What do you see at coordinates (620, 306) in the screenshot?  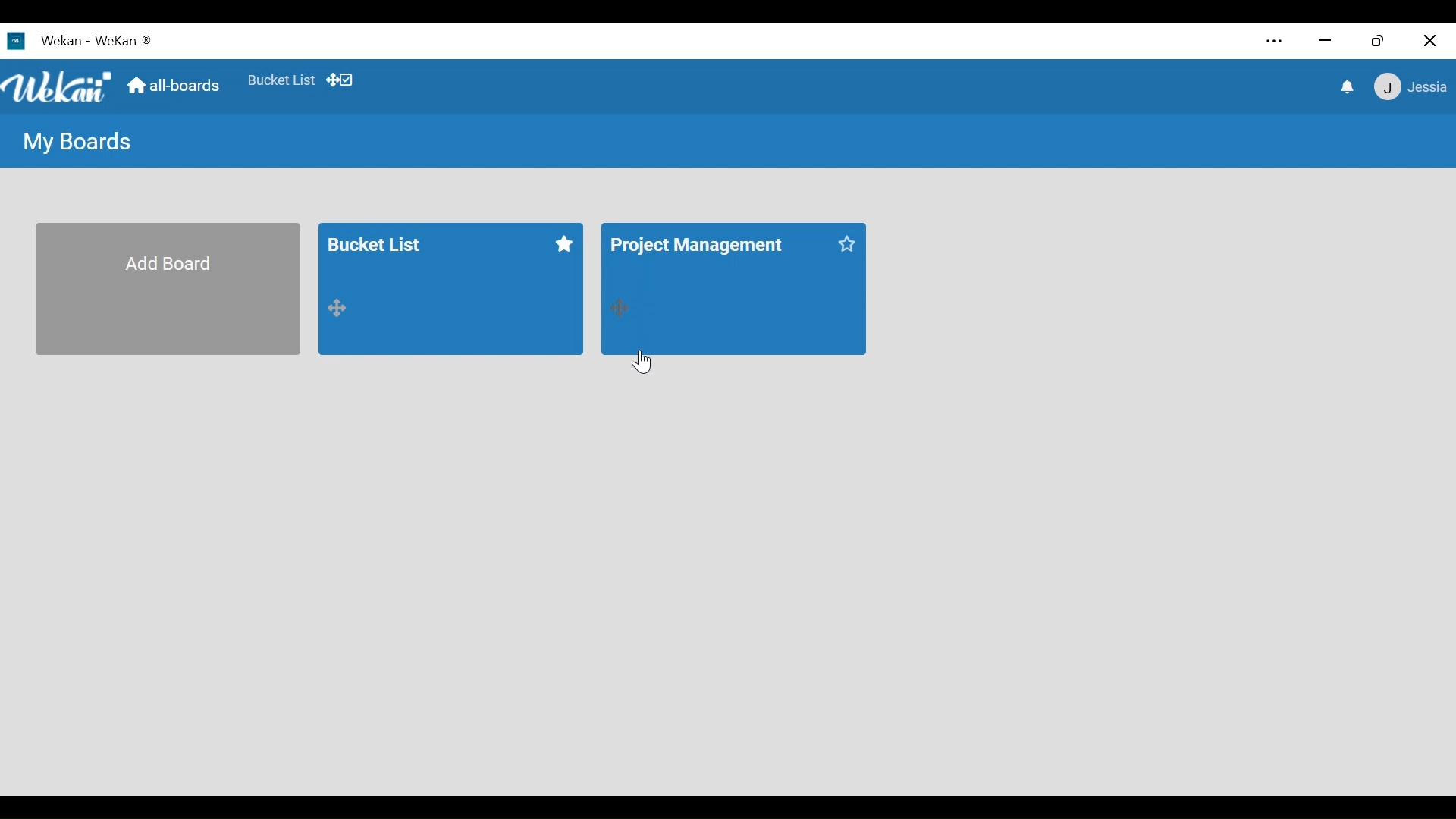 I see `Drag board` at bounding box center [620, 306].